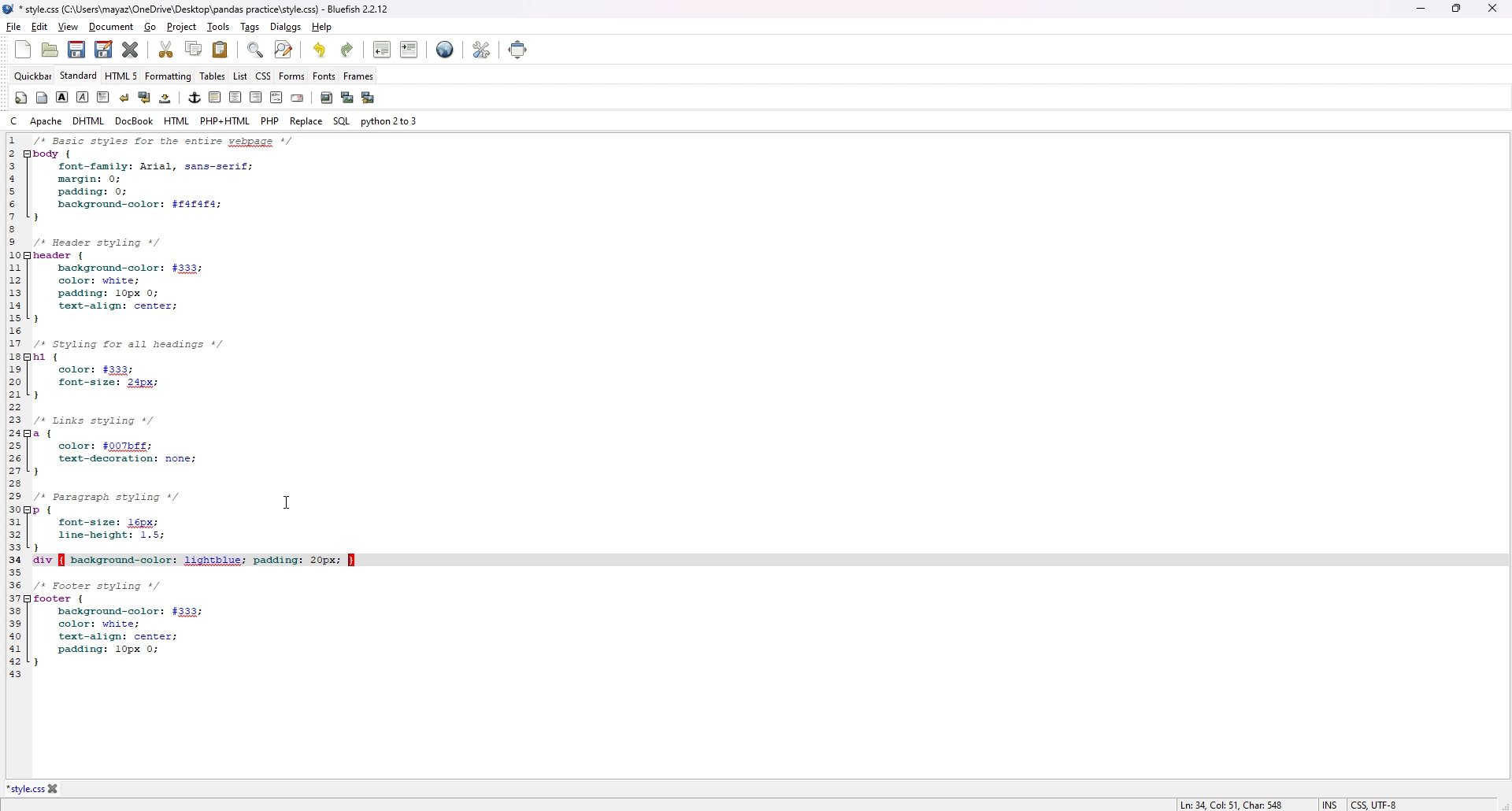  What do you see at coordinates (1231, 805) in the screenshot?
I see `Ln: 34, Col: 51, Char: 548` at bounding box center [1231, 805].